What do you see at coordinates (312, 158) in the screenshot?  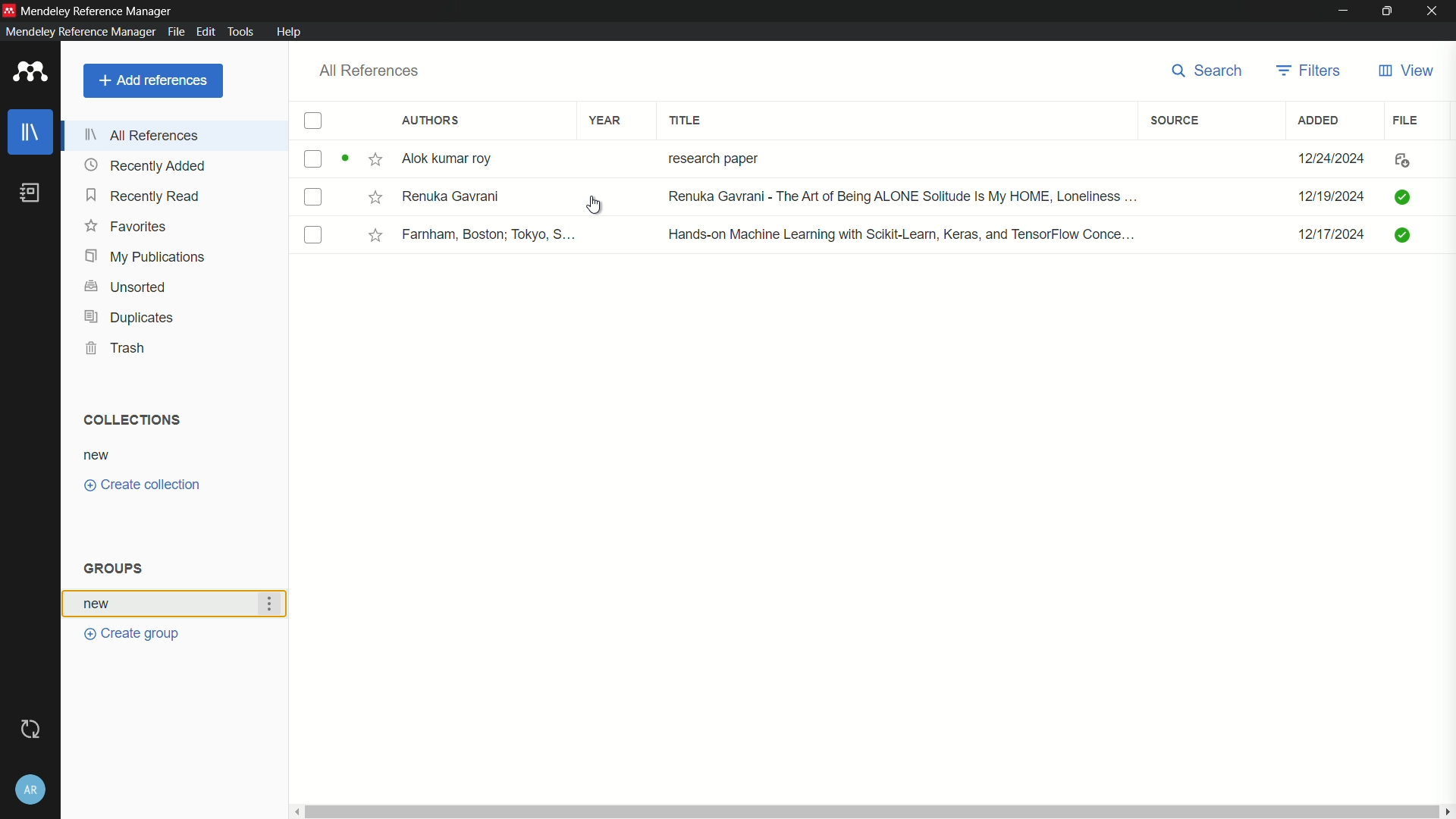 I see `book-1` at bounding box center [312, 158].